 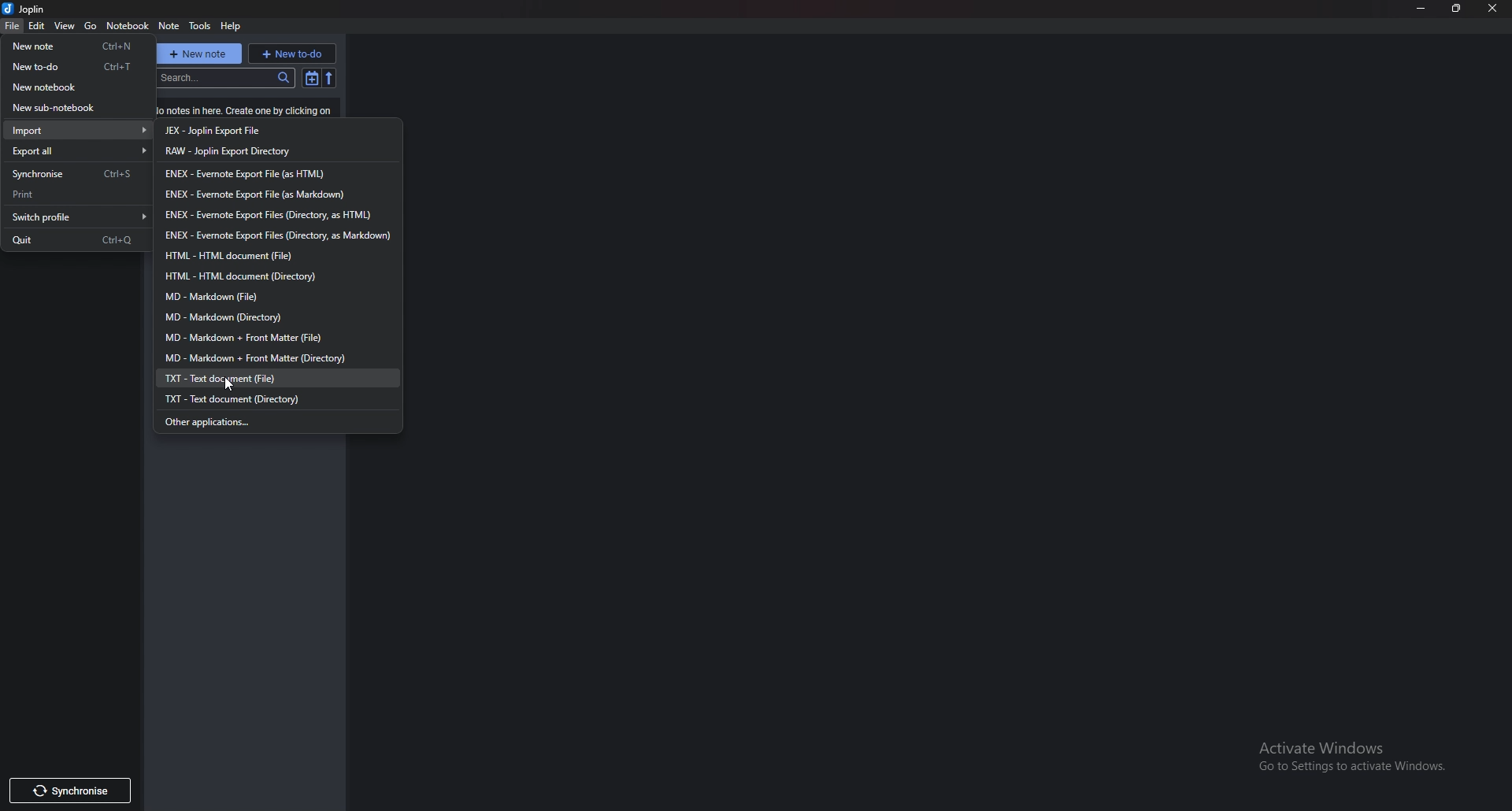 What do you see at coordinates (1424, 7) in the screenshot?
I see `Minimize` at bounding box center [1424, 7].